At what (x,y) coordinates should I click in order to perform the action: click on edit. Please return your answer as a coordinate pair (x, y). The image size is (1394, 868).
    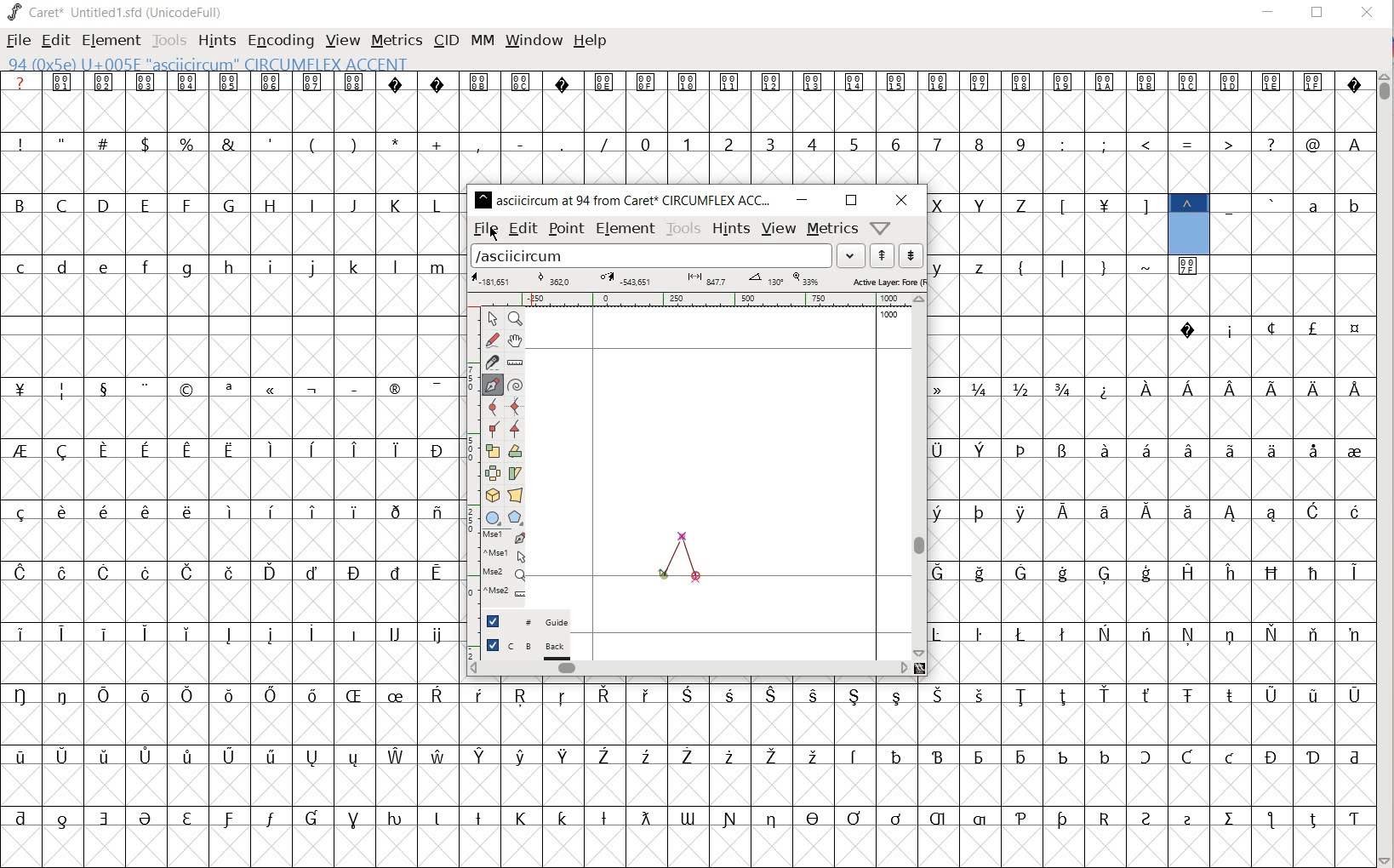
    Looking at the image, I should click on (523, 229).